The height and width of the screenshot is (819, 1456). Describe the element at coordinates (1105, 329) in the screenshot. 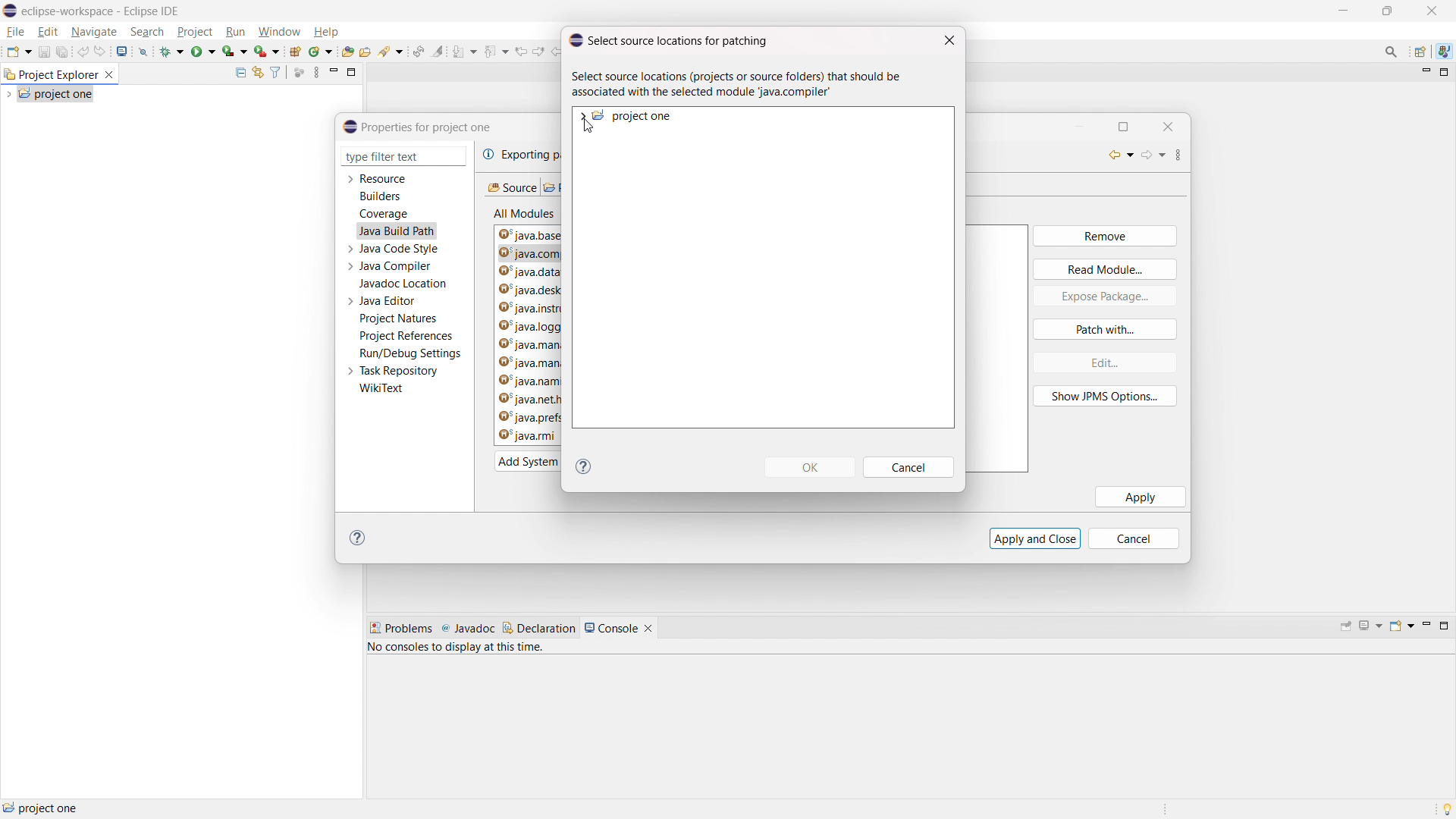

I see `patch with` at that location.